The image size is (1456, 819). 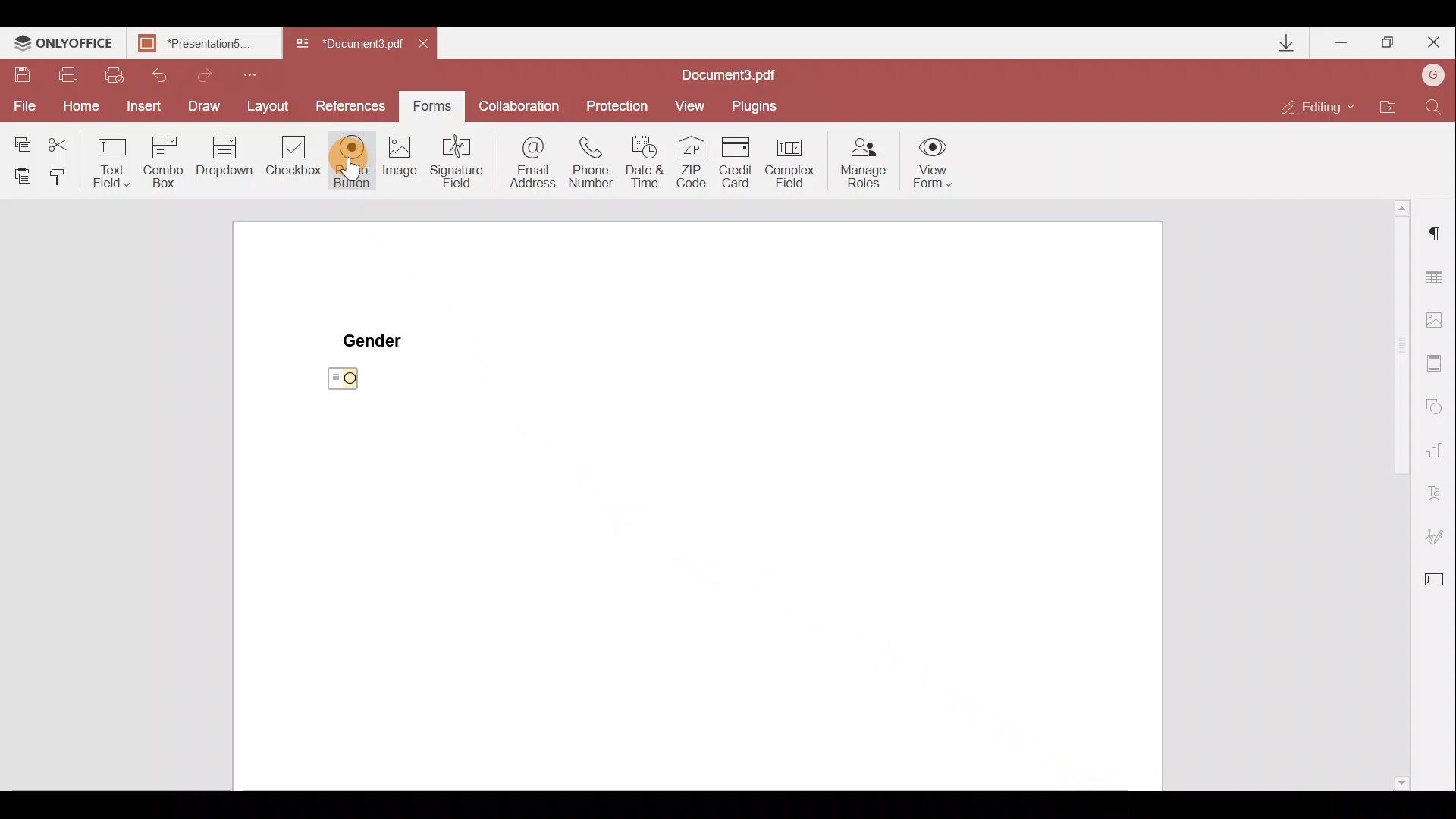 I want to click on Radio button inserted, so click(x=346, y=381).